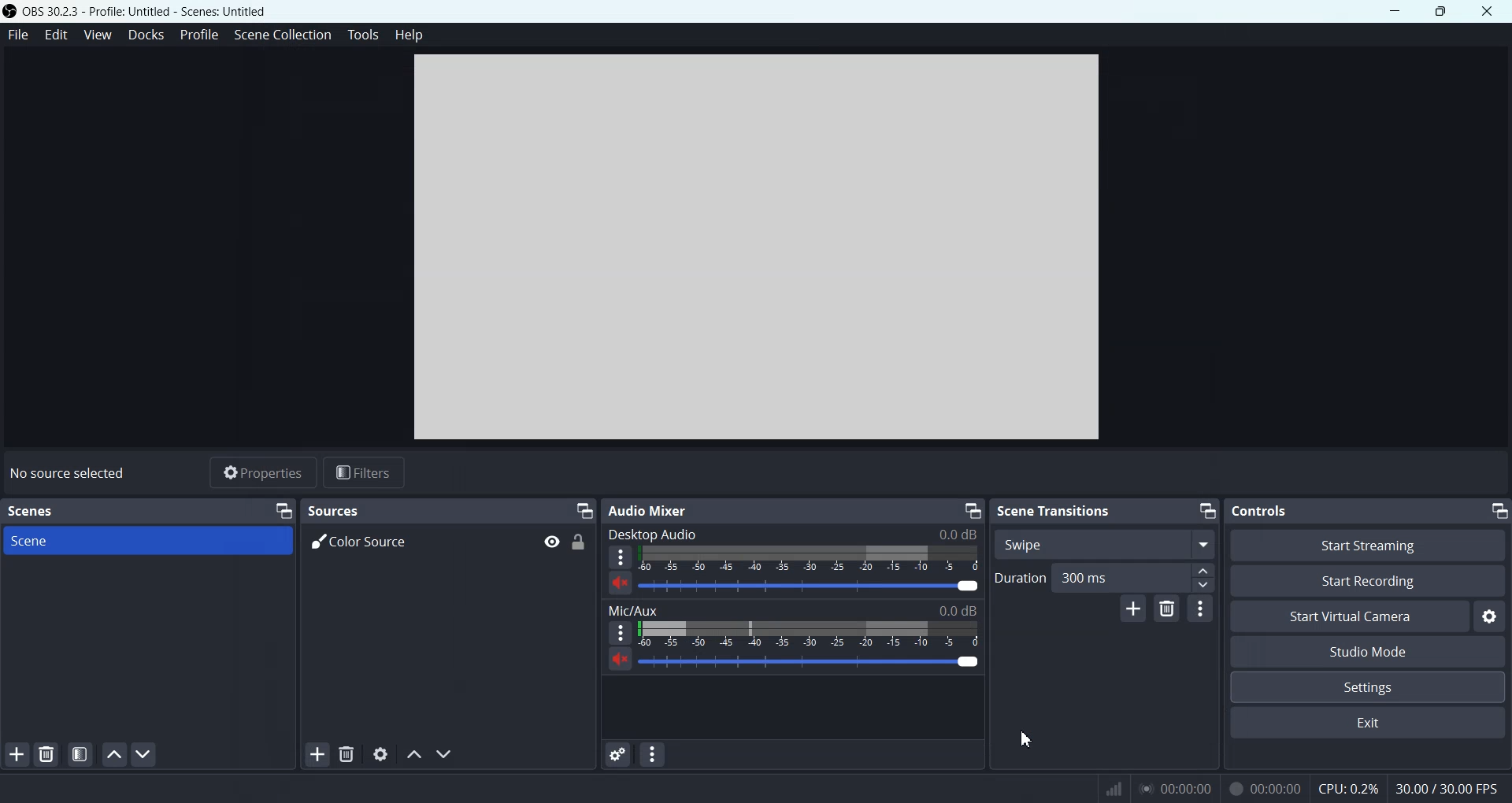  I want to click on Add configurable Transition, so click(1133, 608).